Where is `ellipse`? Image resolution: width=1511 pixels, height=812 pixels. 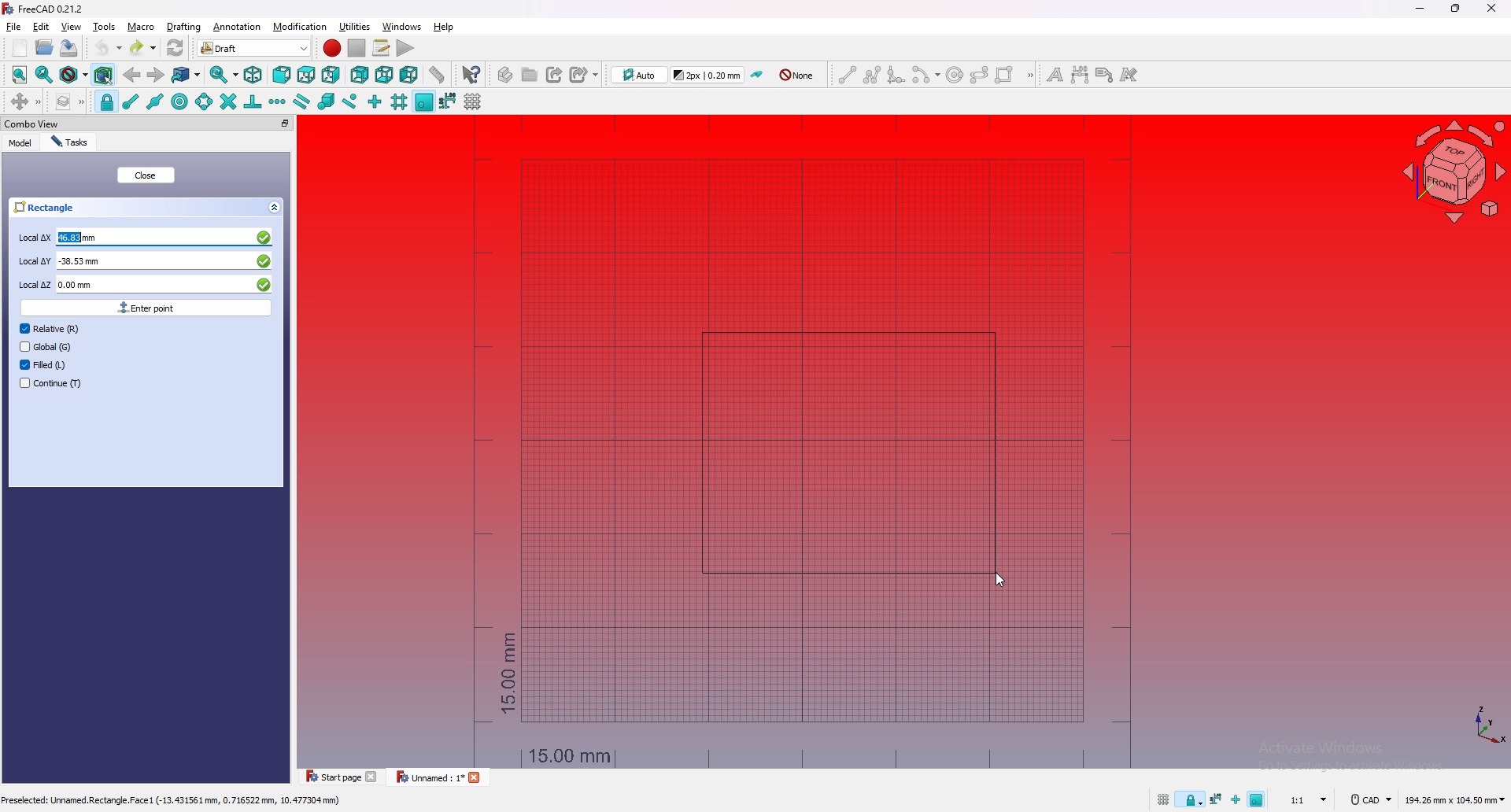 ellipse is located at coordinates (980, 74).